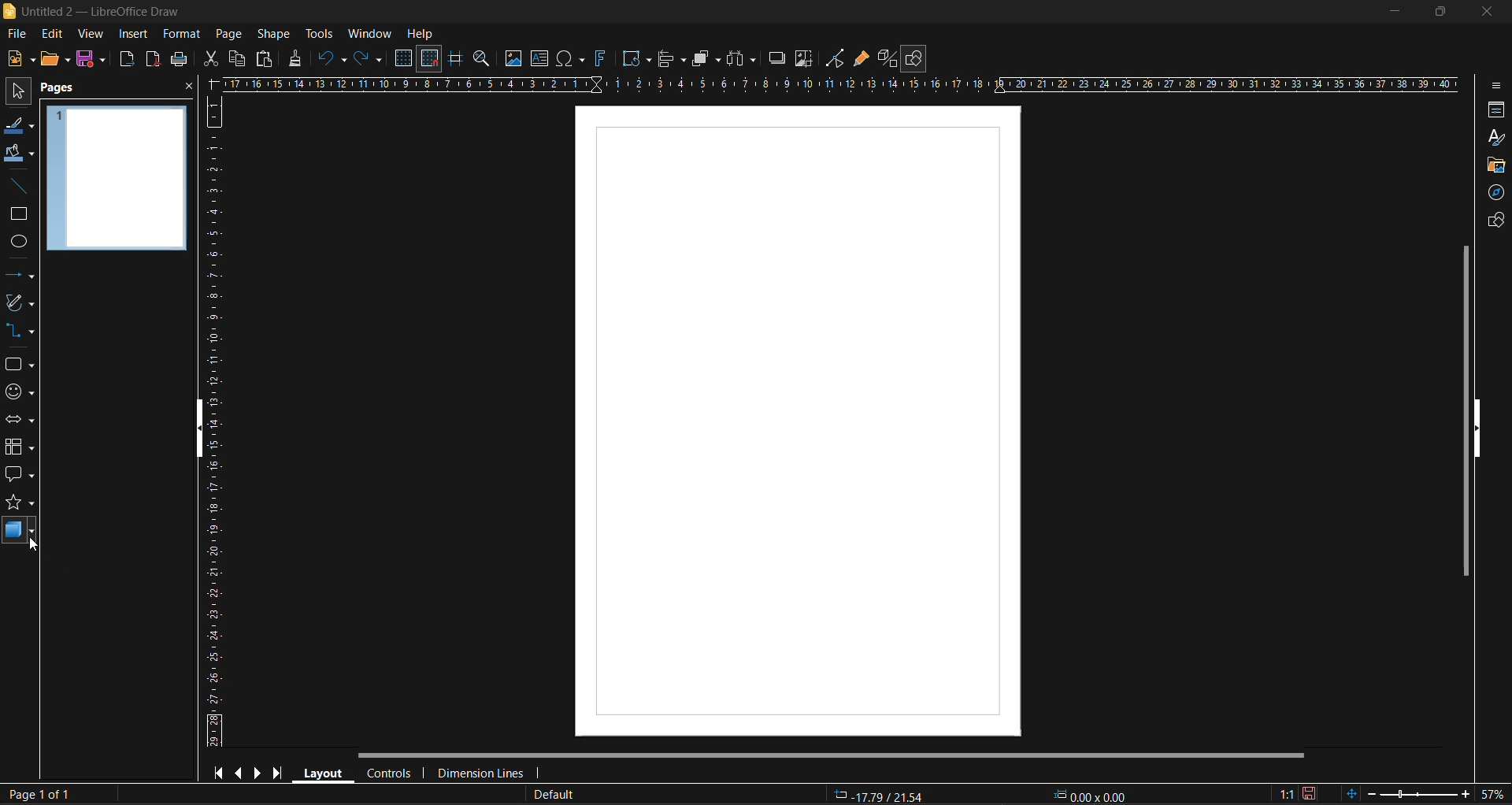 This screenshot has width=1512, height=805. I want to click on display grid, so click(406, 58).